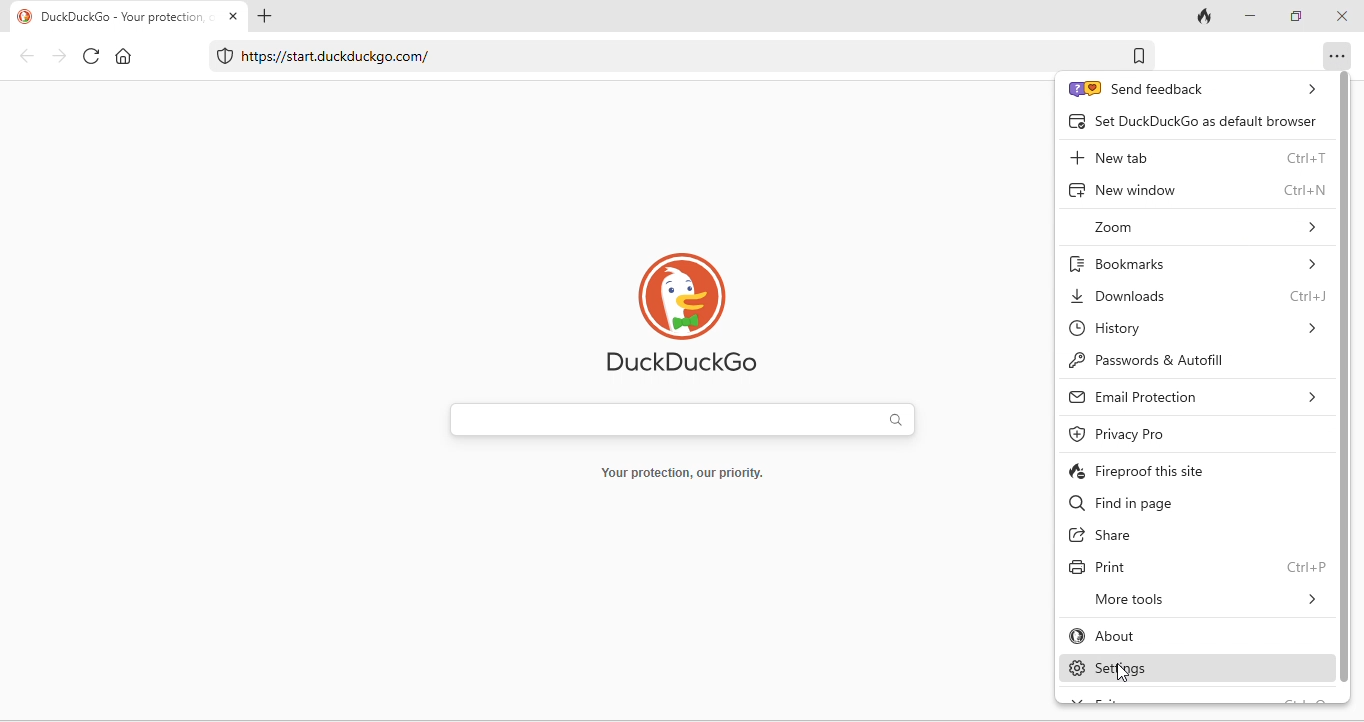 The image size is (1364, 722). I want to click on cursor, so click(1125, 675).